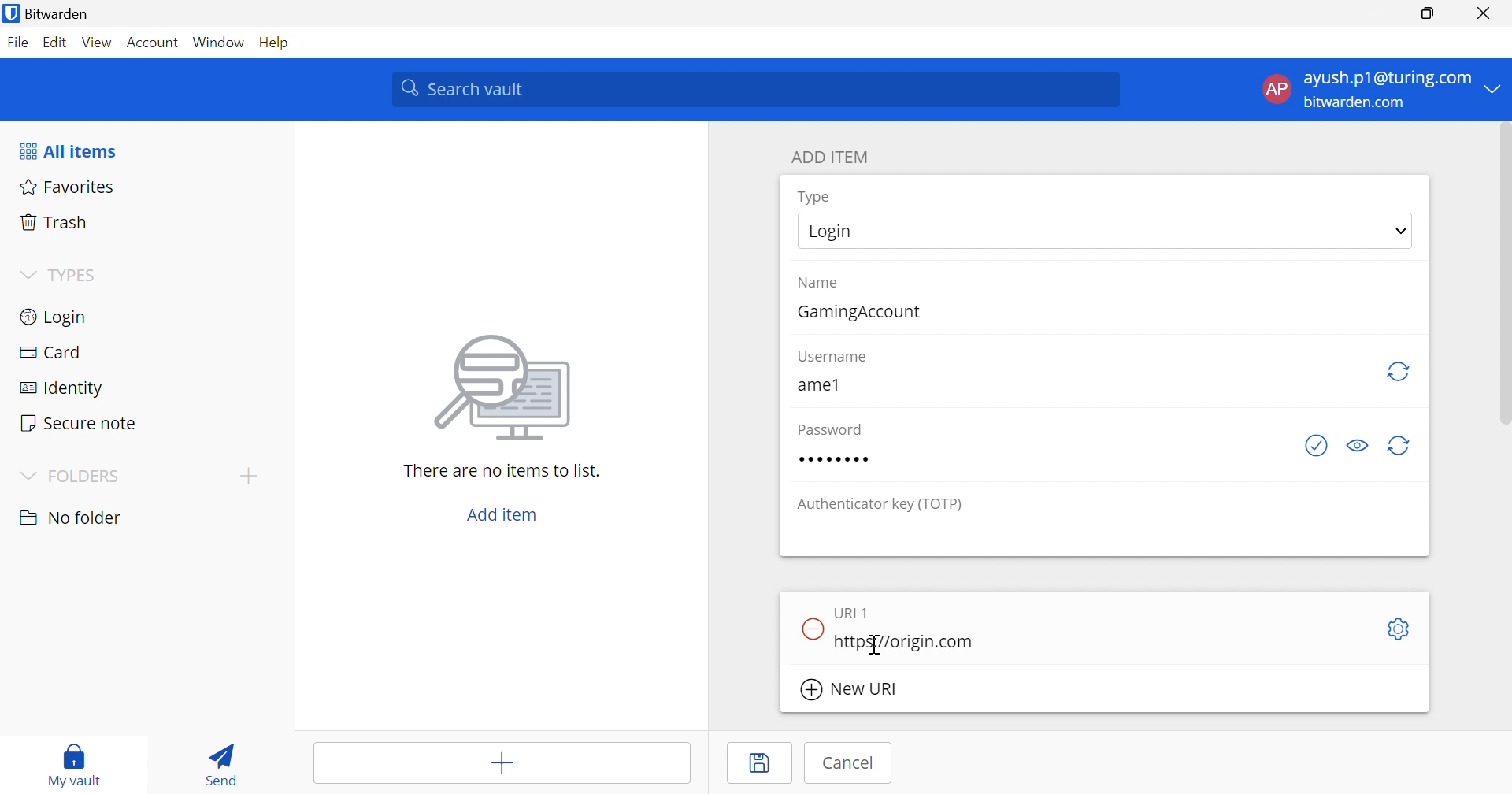  What do you see at coordinates (67, 151) in the screenshot?
I see `All items` at bounding box center [67, 151].